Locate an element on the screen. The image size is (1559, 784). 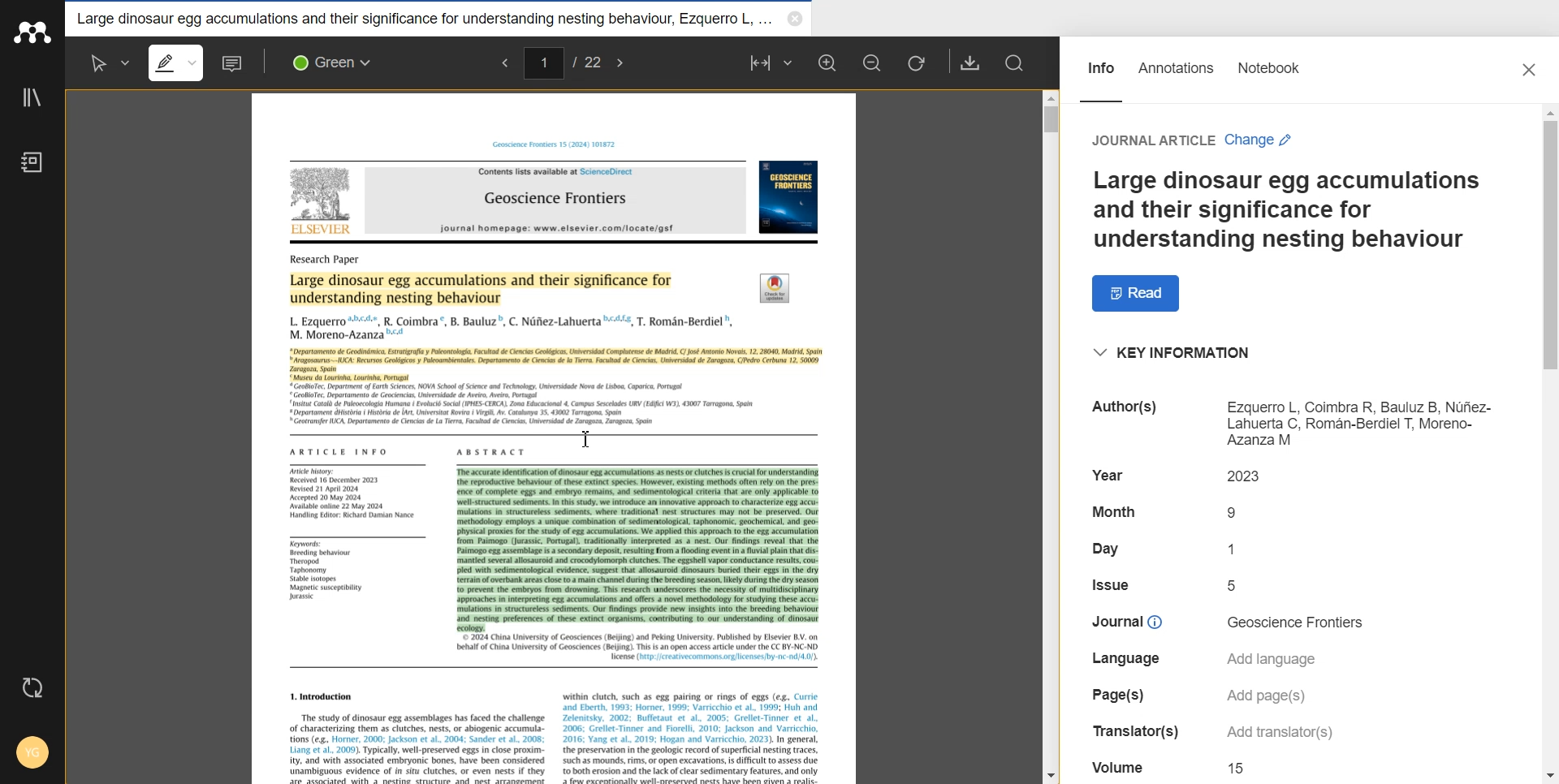
text is located at coordinates (1237, 547).